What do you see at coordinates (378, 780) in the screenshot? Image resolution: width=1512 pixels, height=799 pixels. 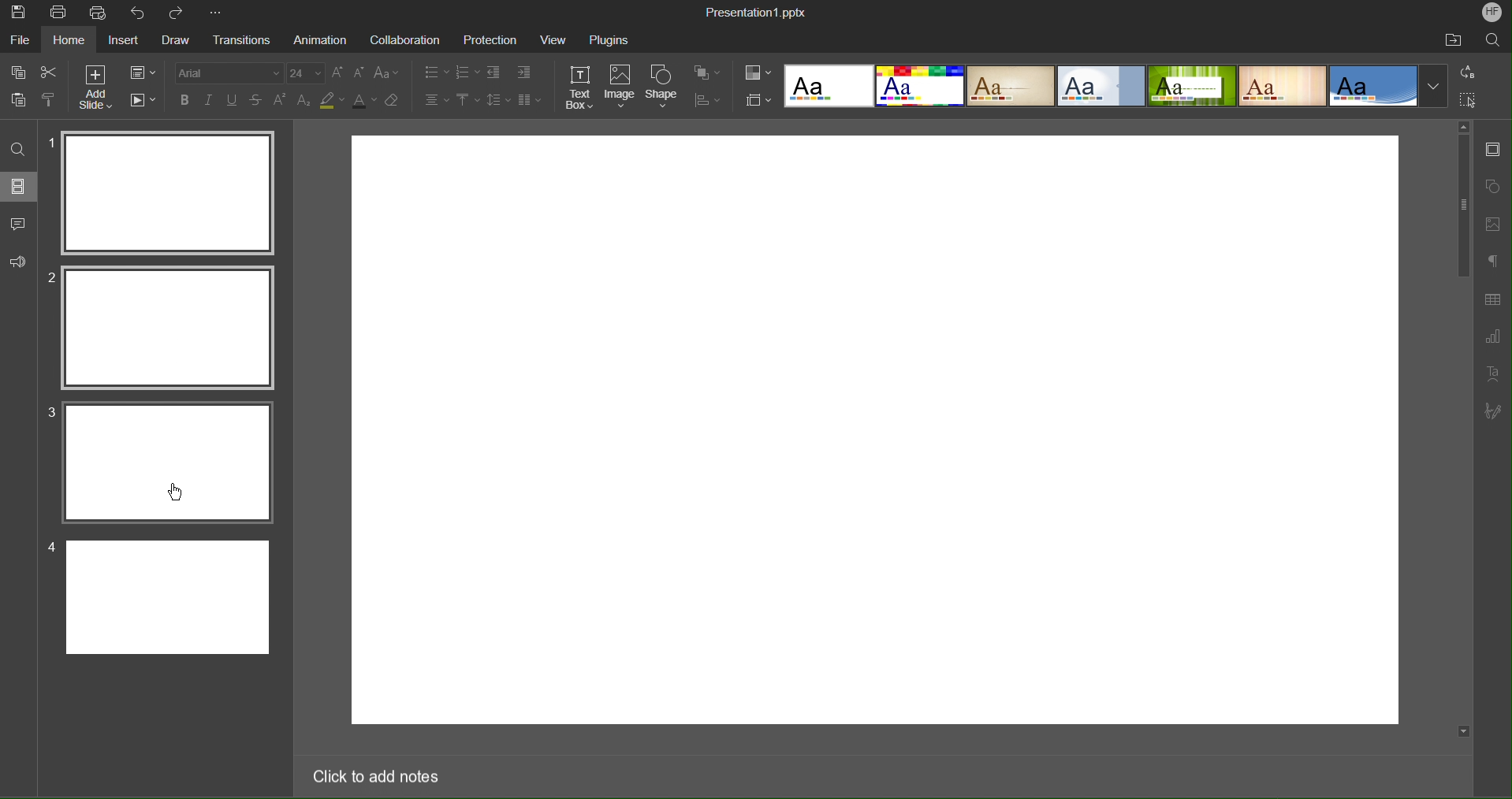 I see `Click to add notes` at bounding box center [378, 780].